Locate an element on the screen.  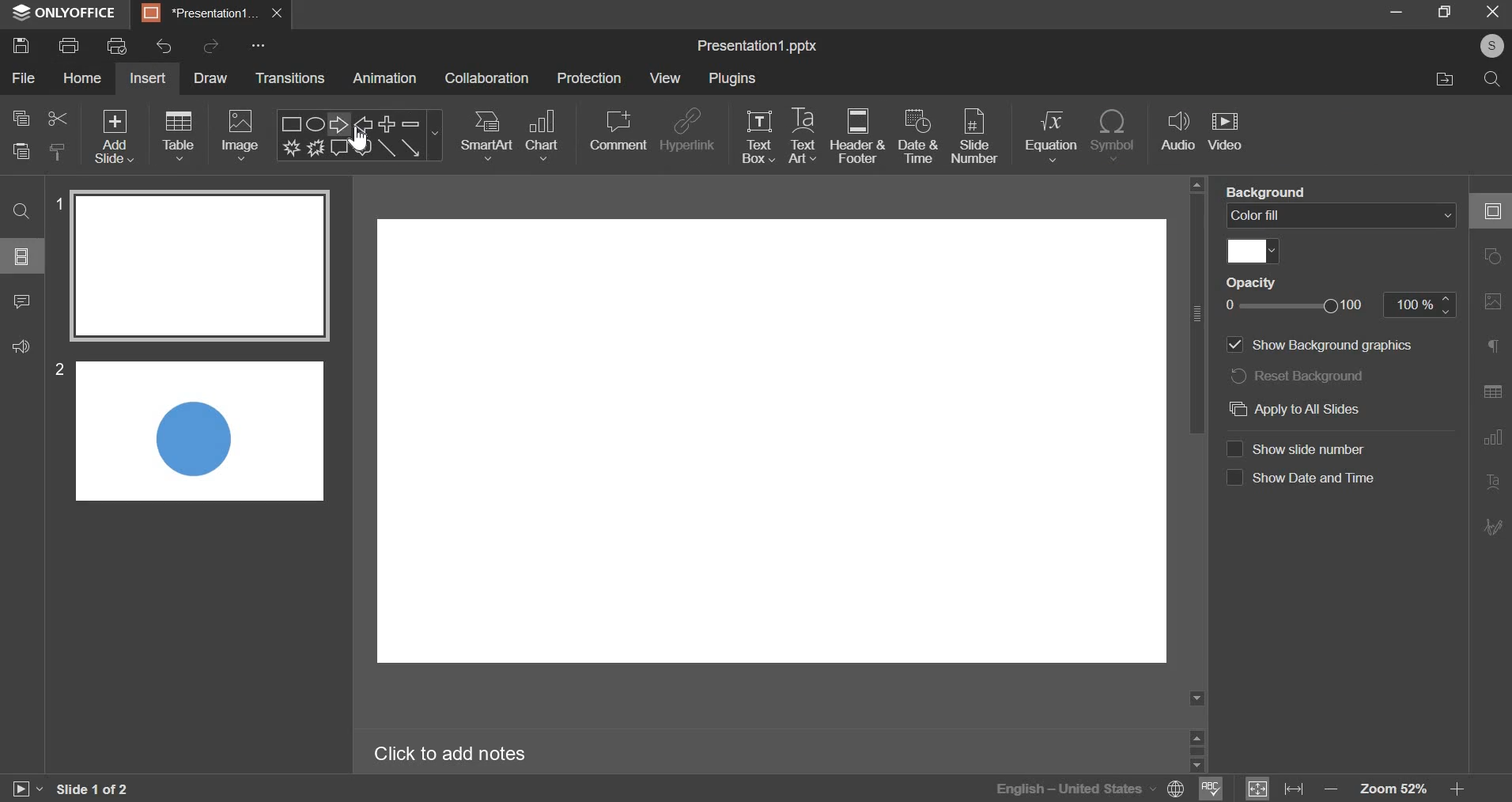
chart is located at coordinates (542, 135).